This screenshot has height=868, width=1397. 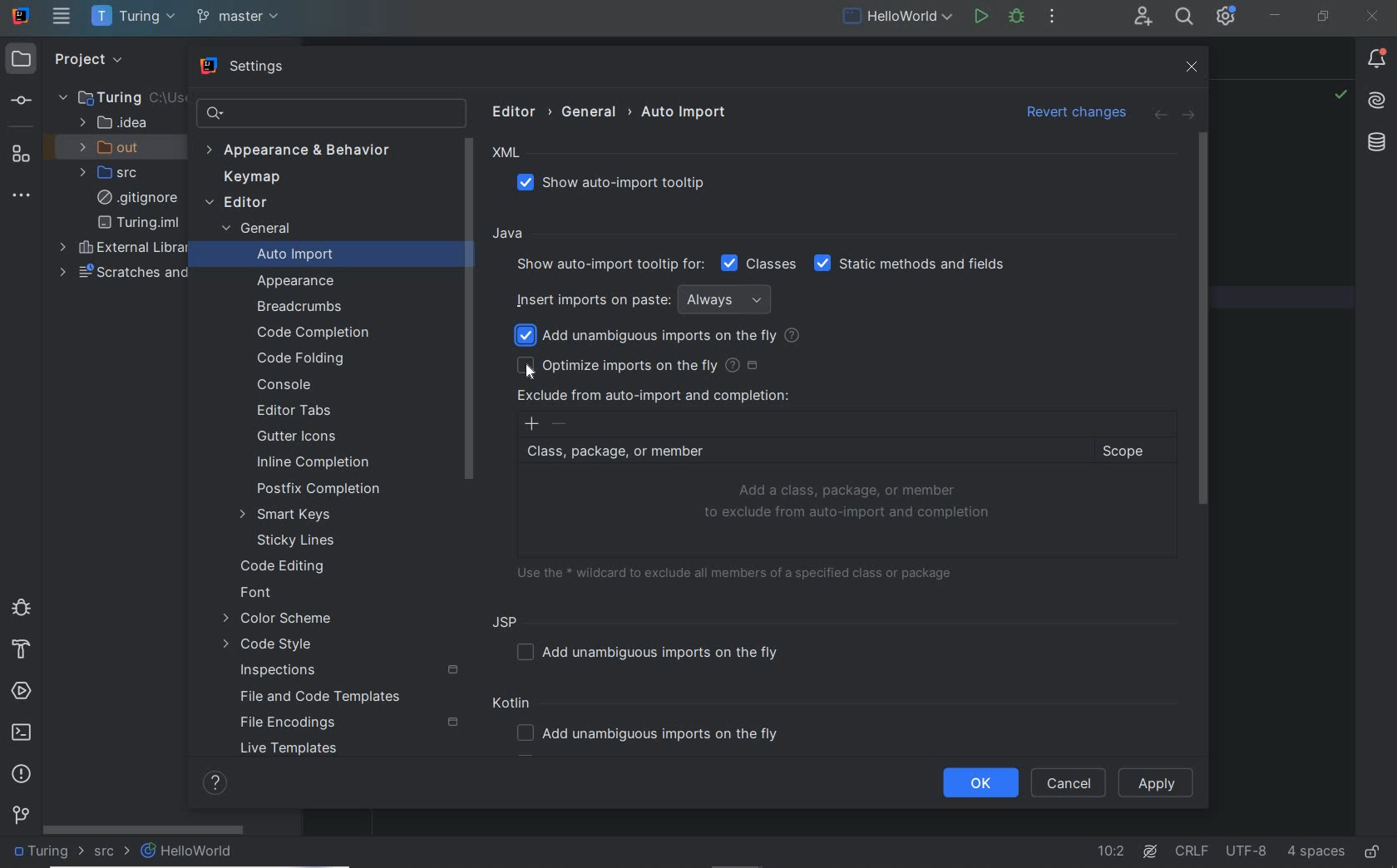 I want to click on INSERT IMPORTS ON PASTE:ALWAYS, so click(x=648, y=298).